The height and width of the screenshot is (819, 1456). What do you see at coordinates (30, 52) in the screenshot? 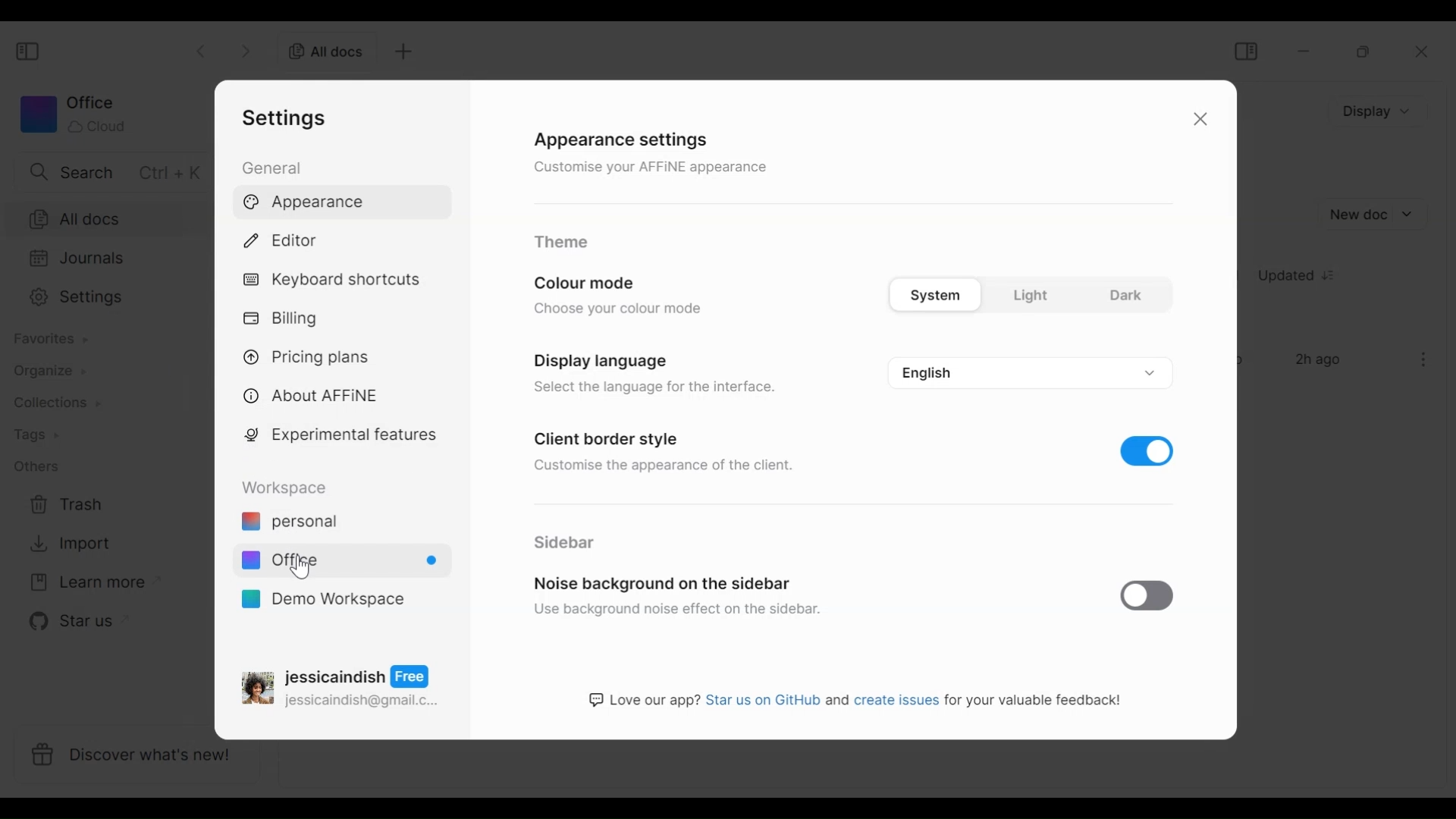
I see `Show/Hide Sidebar` at bounding box center [30, 52].